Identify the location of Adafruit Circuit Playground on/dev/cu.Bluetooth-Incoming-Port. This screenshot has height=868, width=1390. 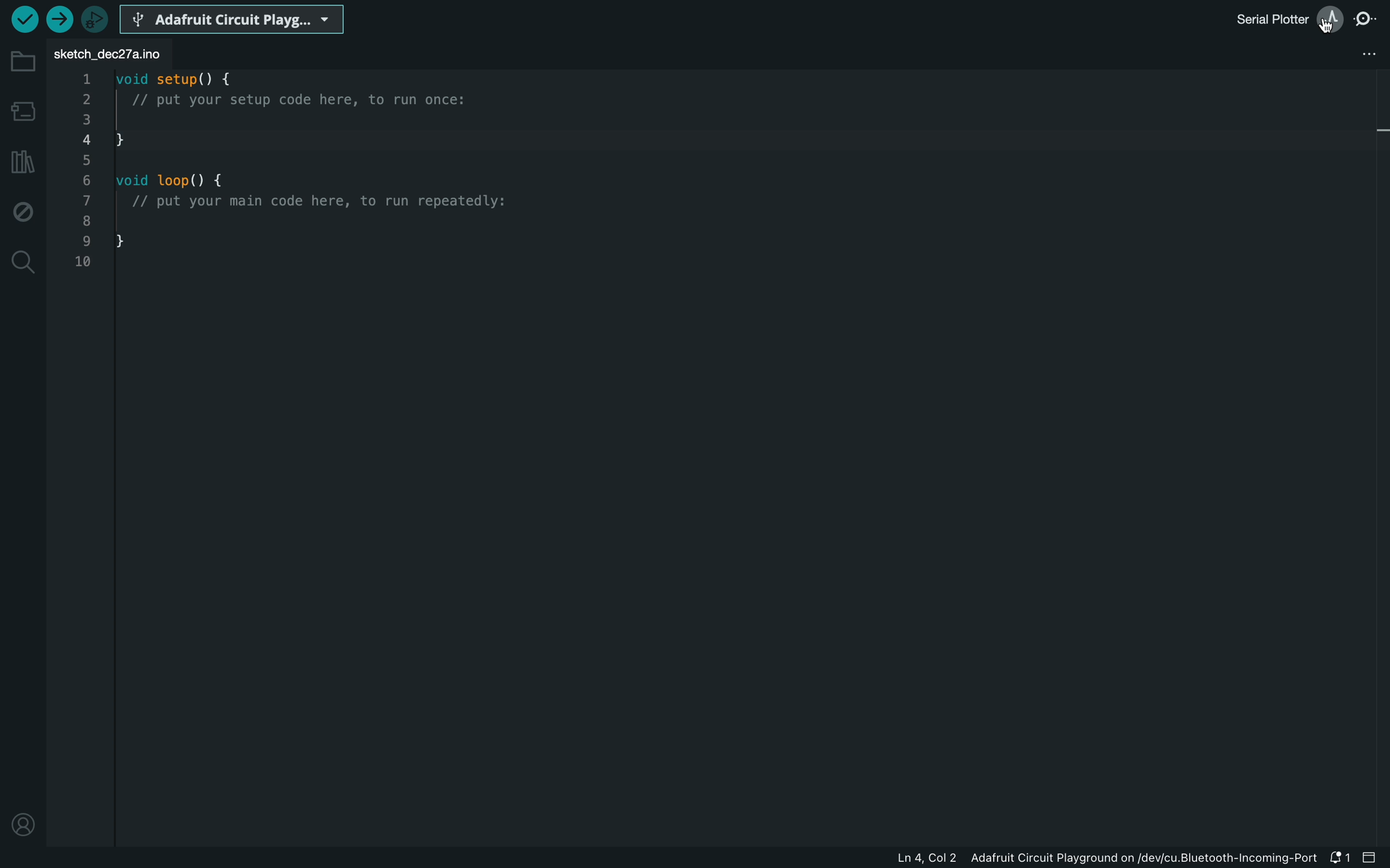
(1141, 855).